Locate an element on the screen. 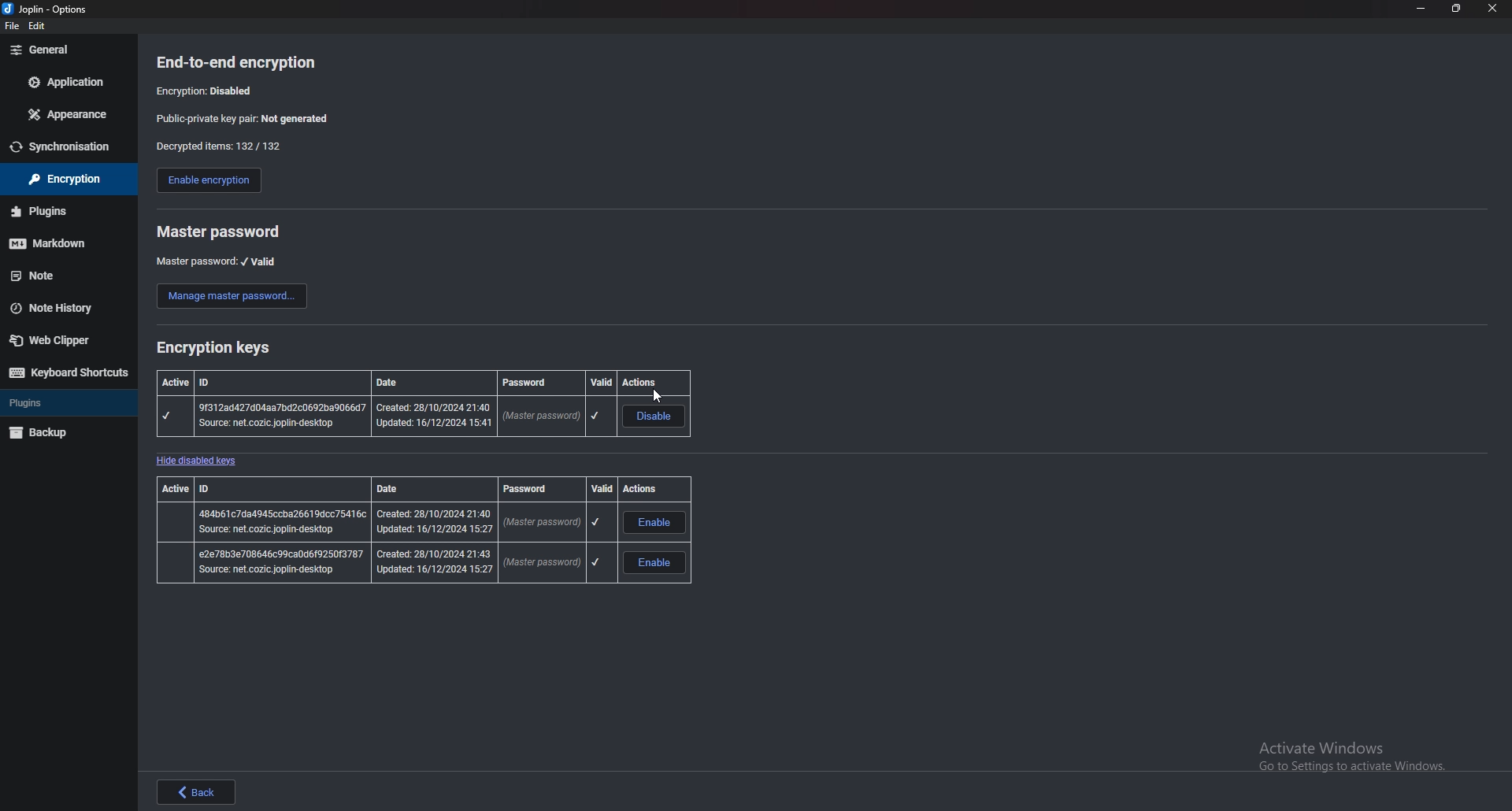 The image size is (1512, 811). encryption is located at coordinates (208, 91).